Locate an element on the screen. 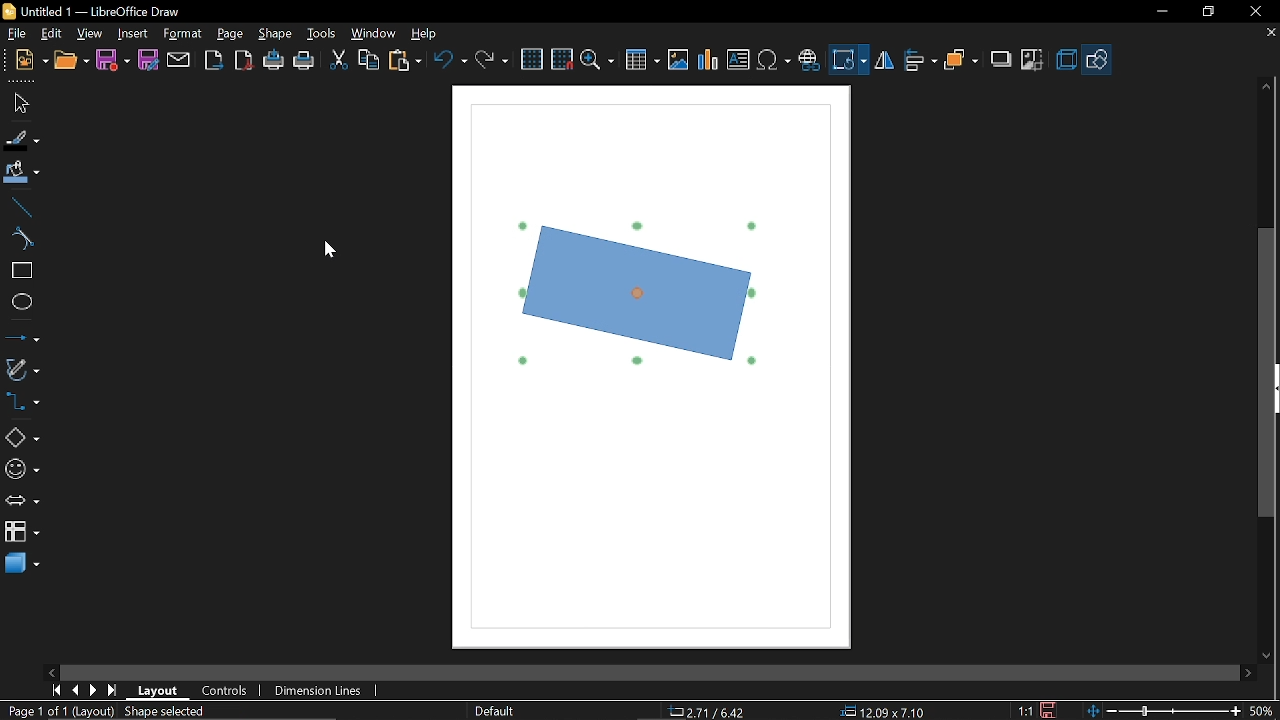  close tab is located at coordinates (1270, 34).